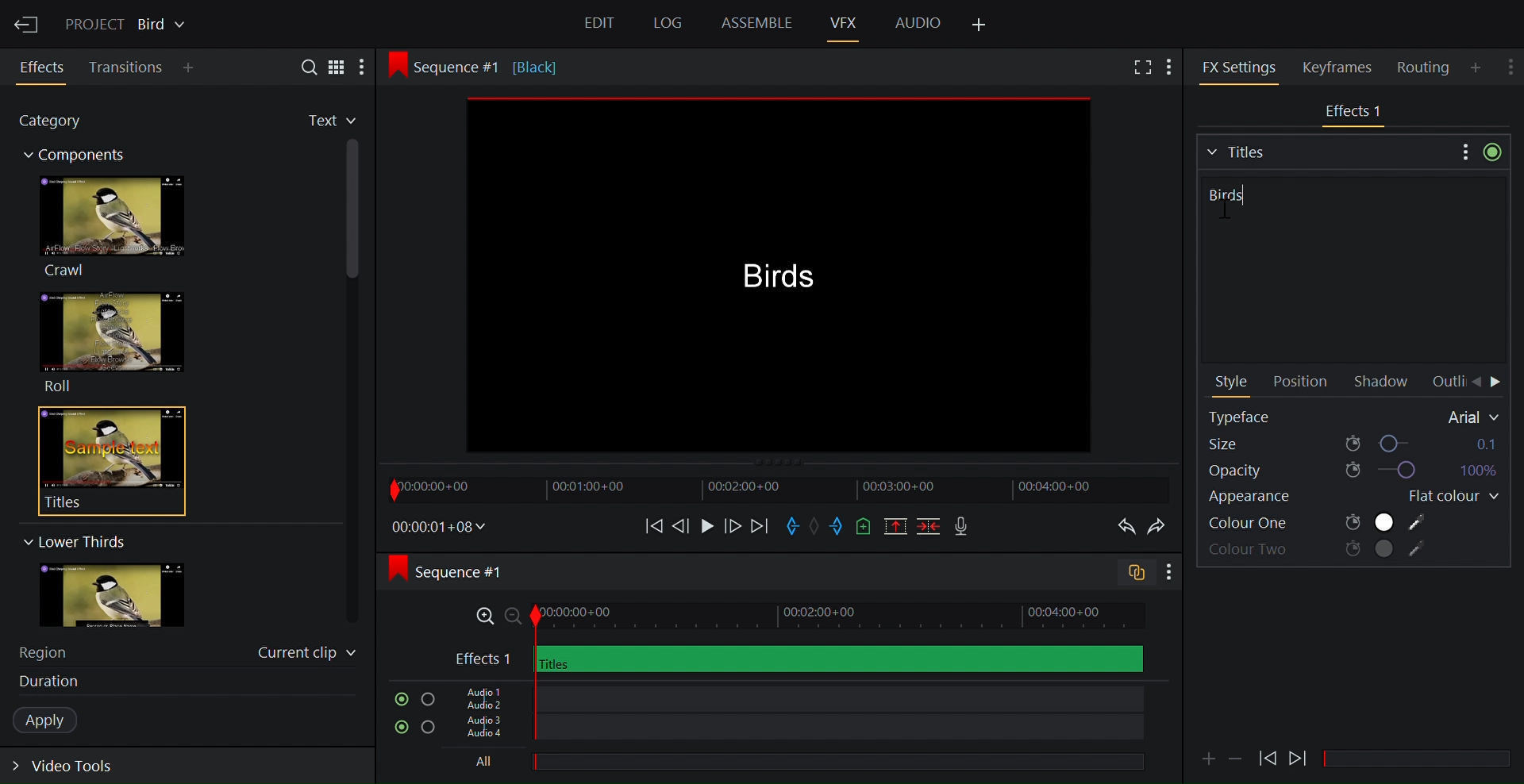 The width and height of the screenshot is (1524, 784). I want to click on Show settings menu, so click(1168, 573).